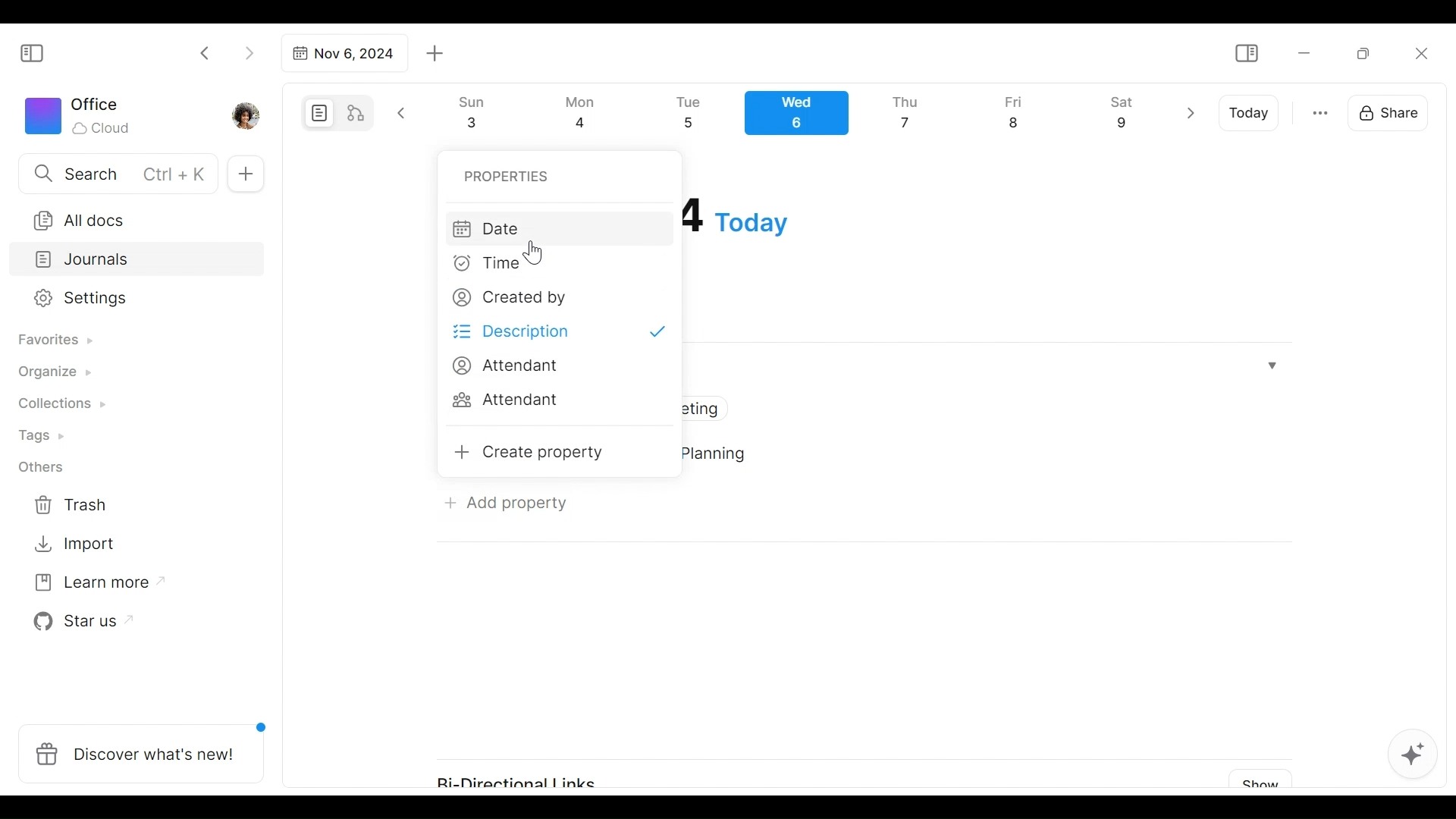 The height and width of the screenshot is (819, 1456). I want to click on Add new , so click(244, 174).